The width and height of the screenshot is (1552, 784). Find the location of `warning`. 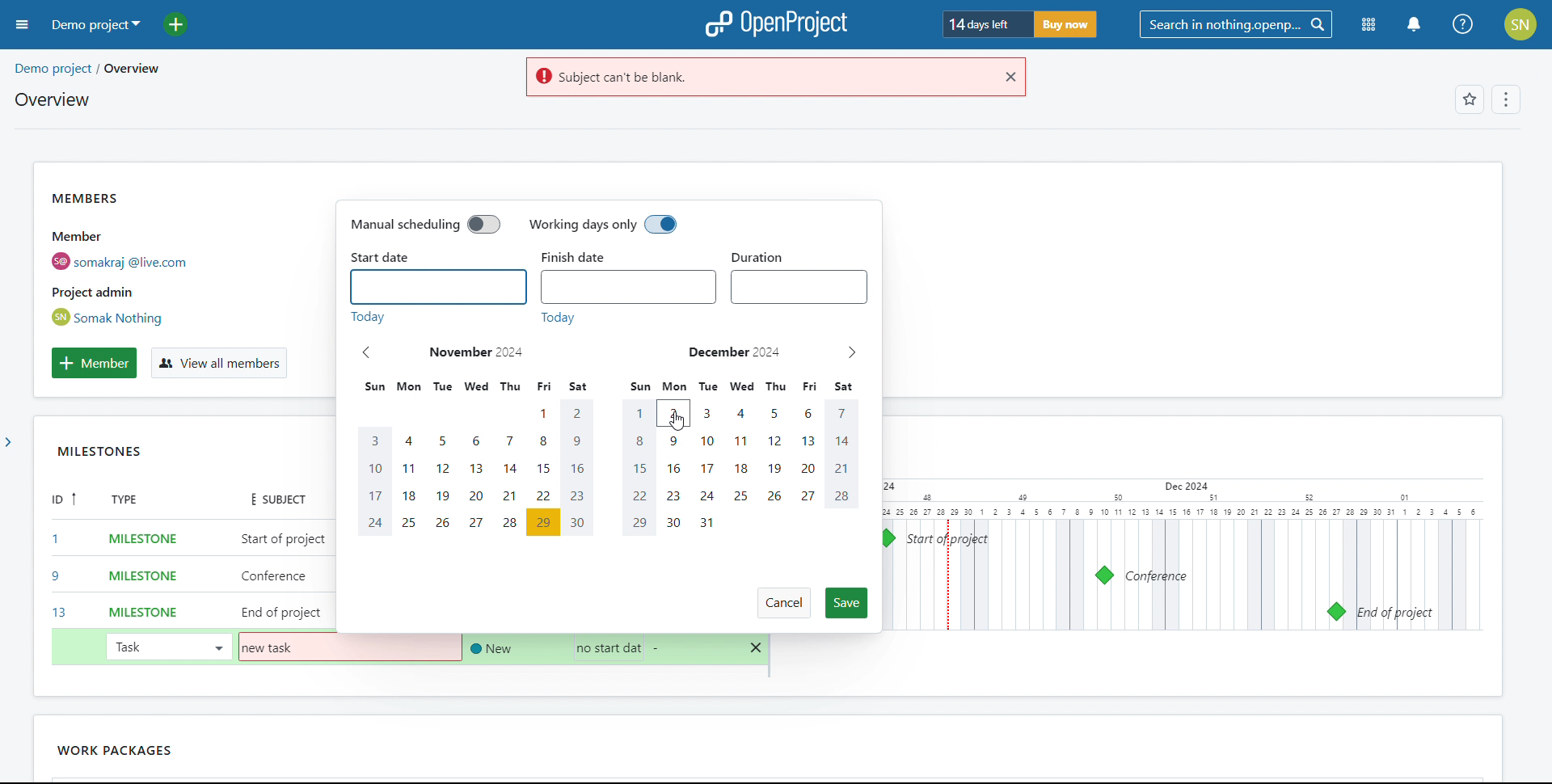

warning is located at coordinates (756, 78).